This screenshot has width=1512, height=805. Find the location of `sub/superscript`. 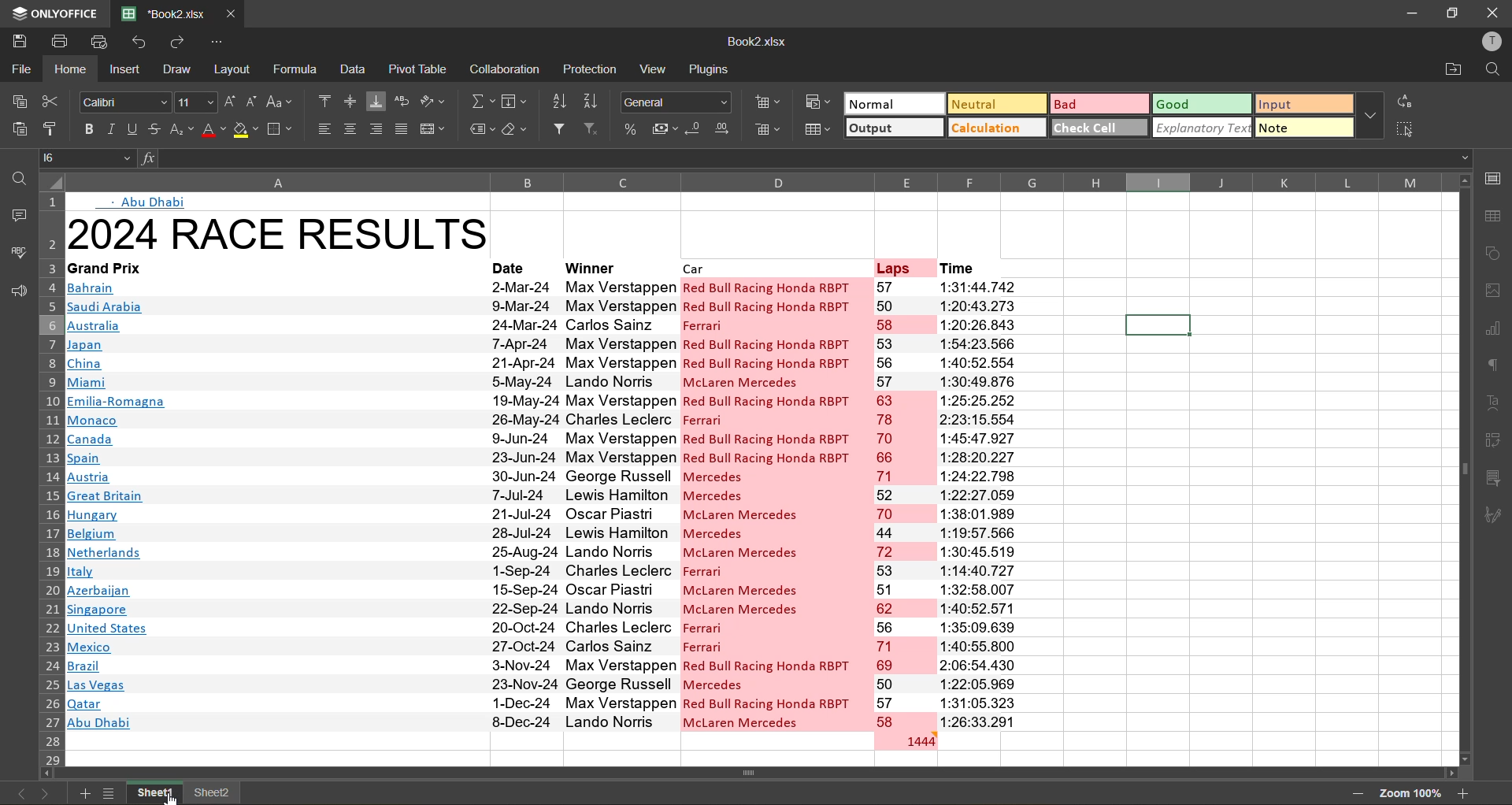

sub/superscript is located at coordinates (180, 131).